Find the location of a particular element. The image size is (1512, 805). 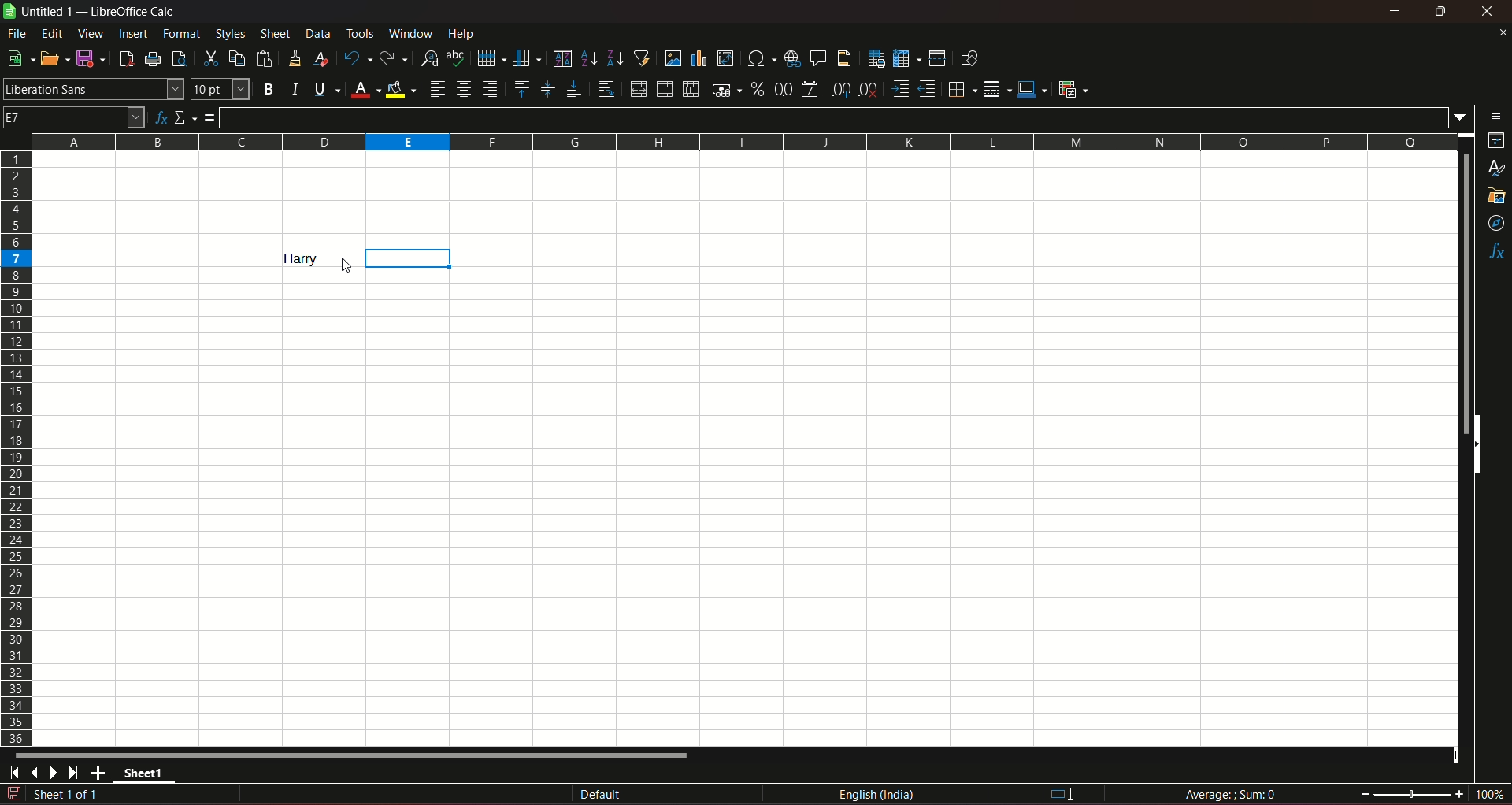

column is located at coordinates (525, 57).